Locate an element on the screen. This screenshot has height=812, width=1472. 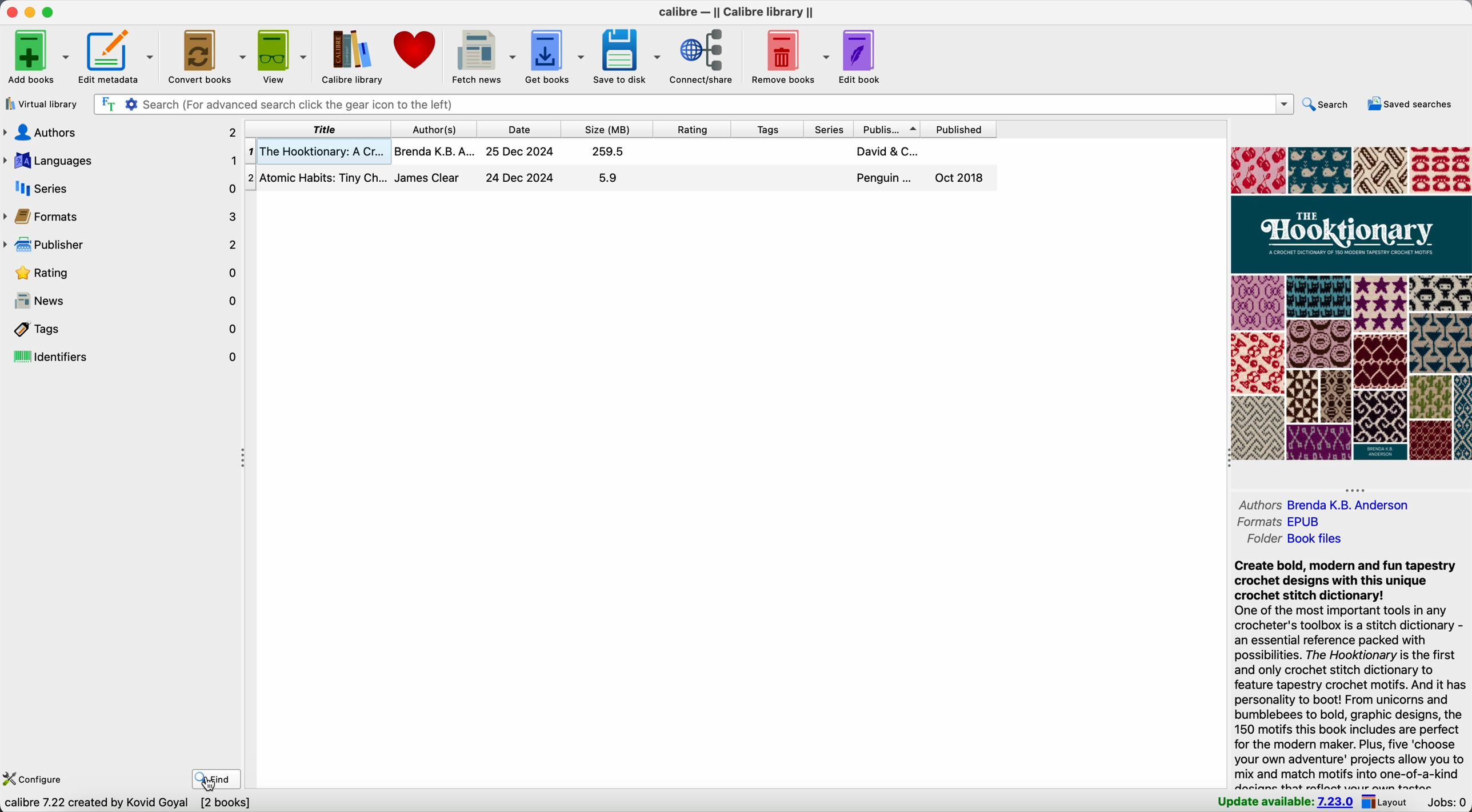
Calibre library is located at coordinates (351, 55).